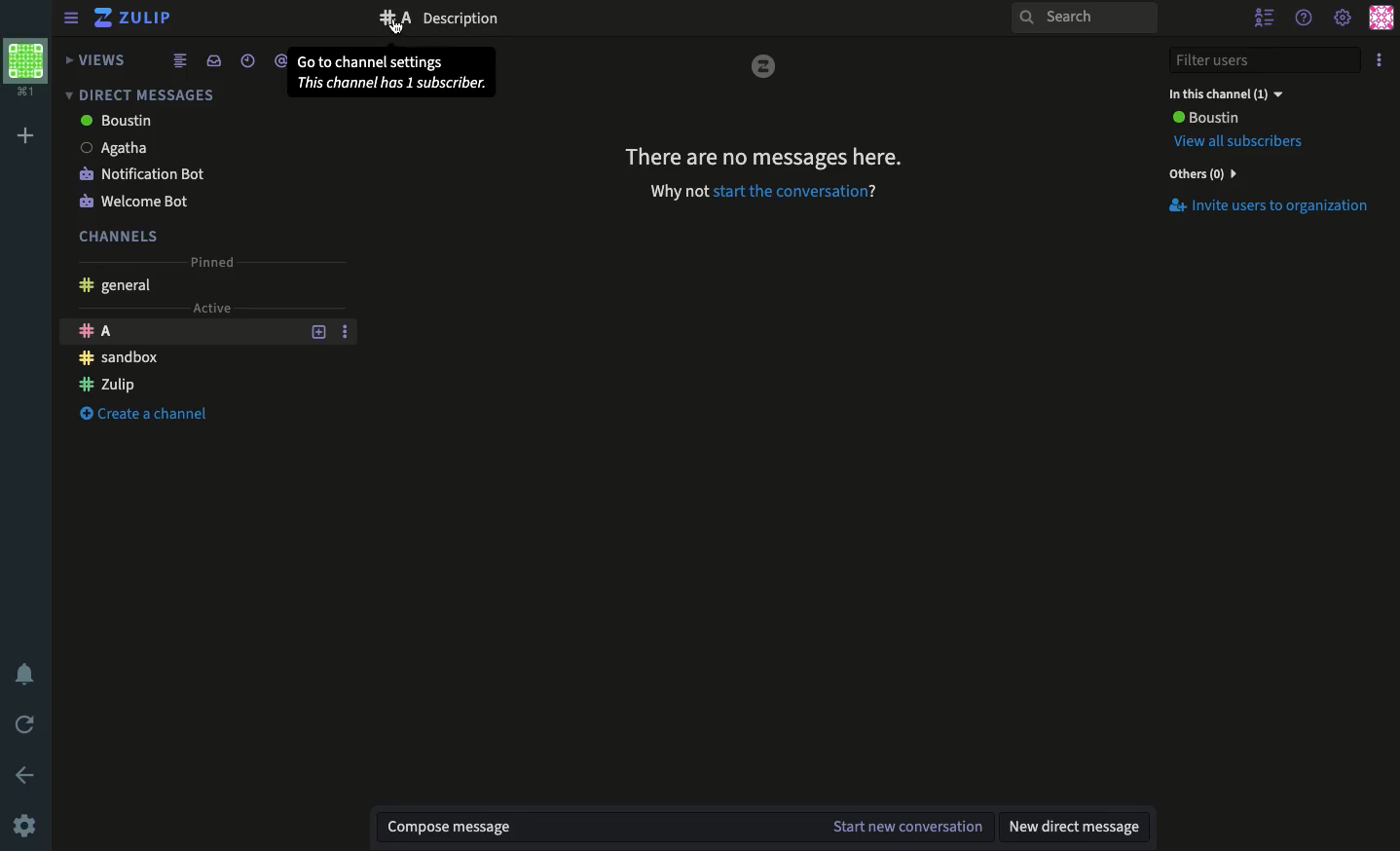  What do you see at coordinates (677, 192) in the screenshot?
I see `why not` at bounding box center [677, 192].